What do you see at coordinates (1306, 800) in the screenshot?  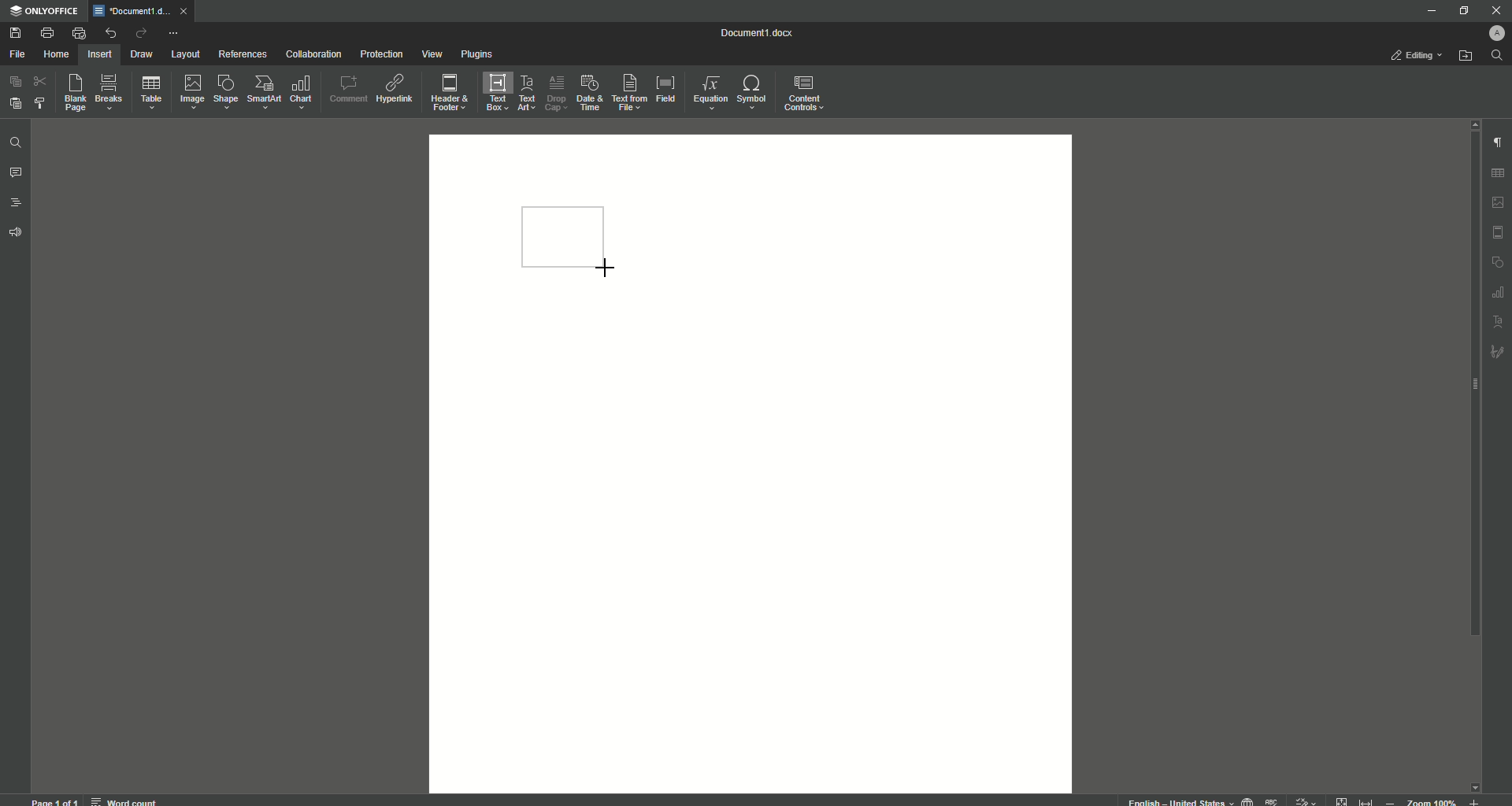 I see `track changes` at bounding box center [1306, 800].